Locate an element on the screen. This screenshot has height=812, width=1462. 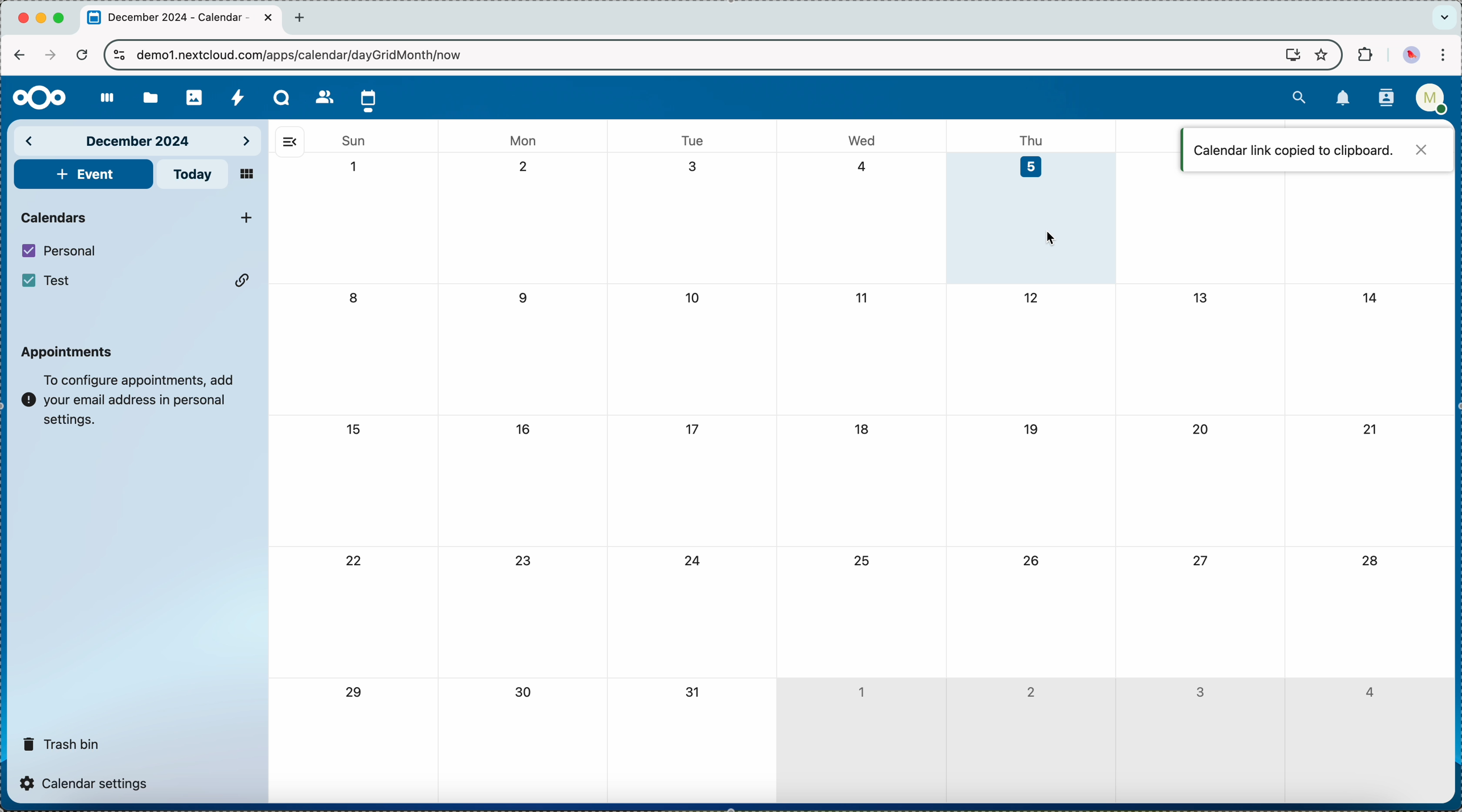
28 is located at coordinates (1369, 562).